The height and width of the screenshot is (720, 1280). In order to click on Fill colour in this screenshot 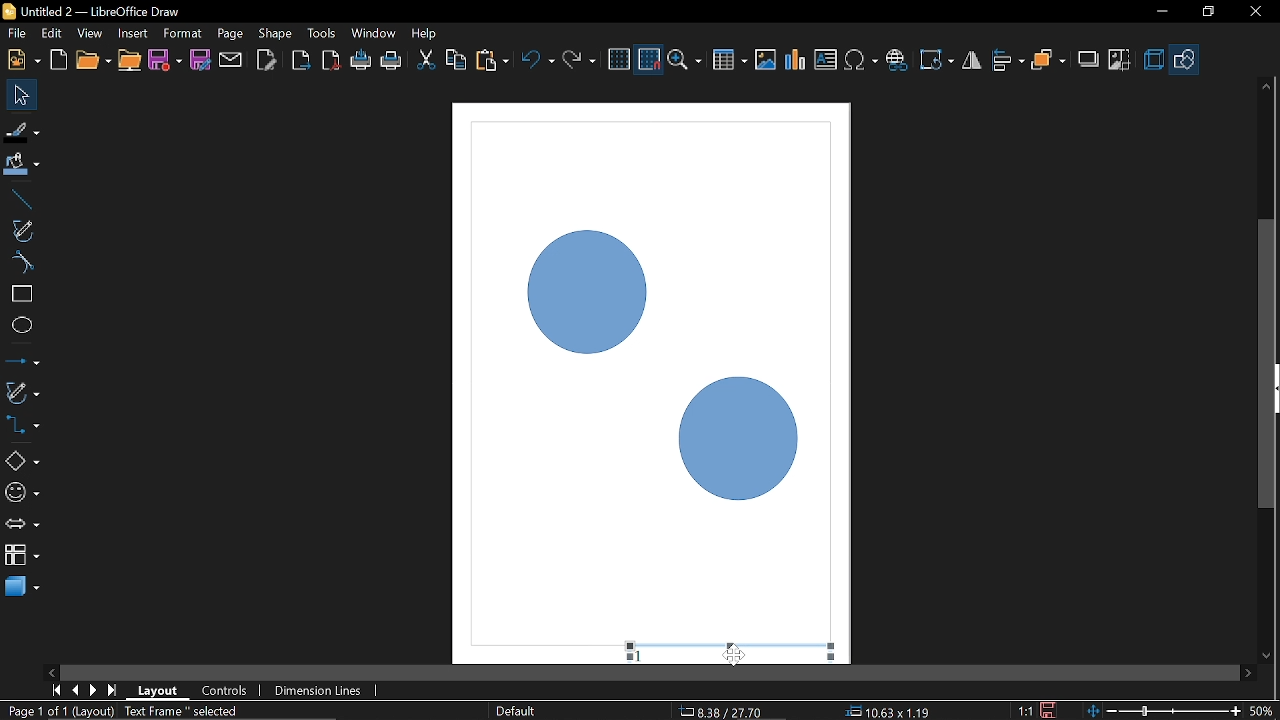, I will do `click(22, 165)`.